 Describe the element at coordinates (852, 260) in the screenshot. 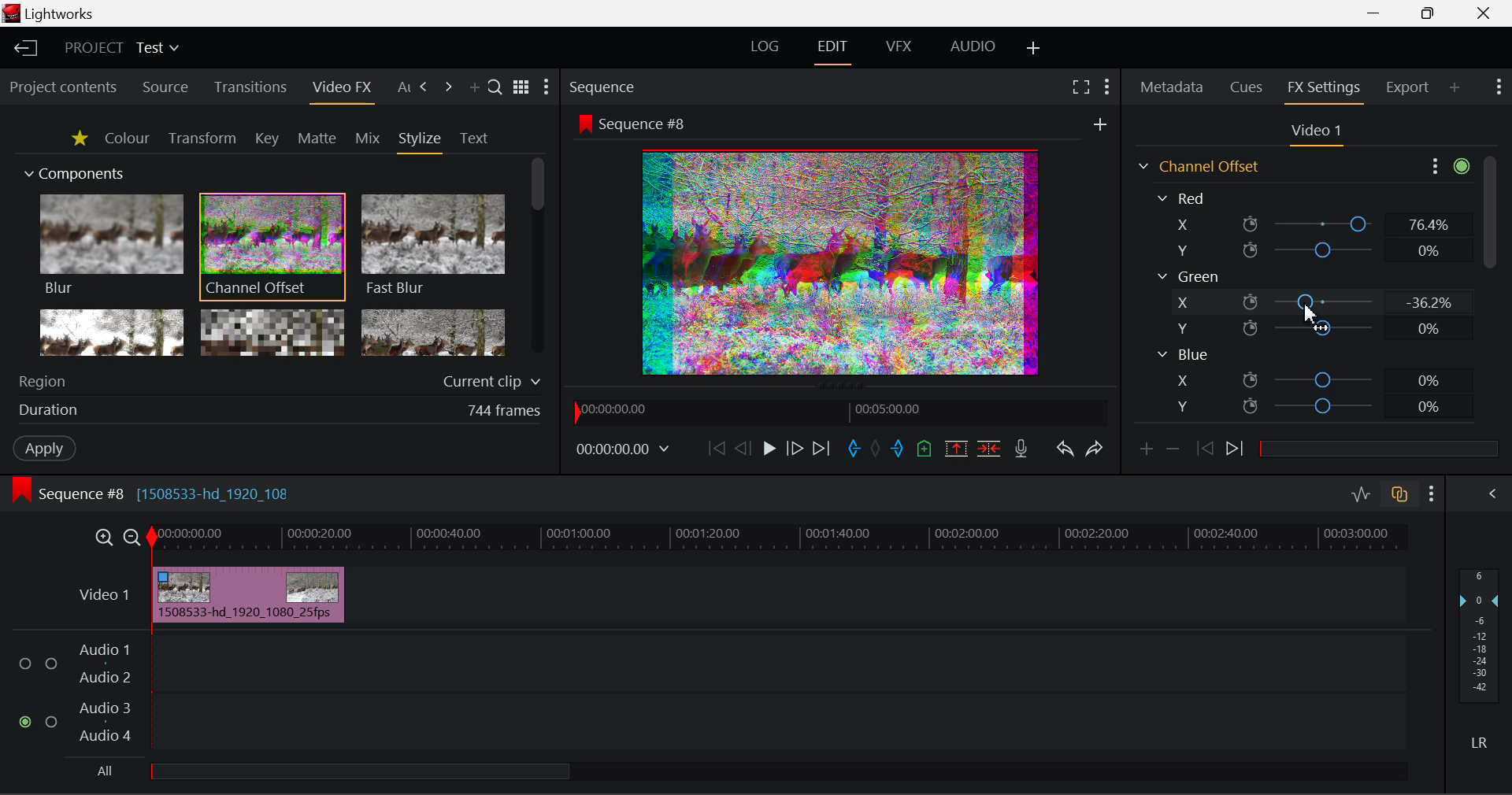

I see `Preview Altered` at that location.